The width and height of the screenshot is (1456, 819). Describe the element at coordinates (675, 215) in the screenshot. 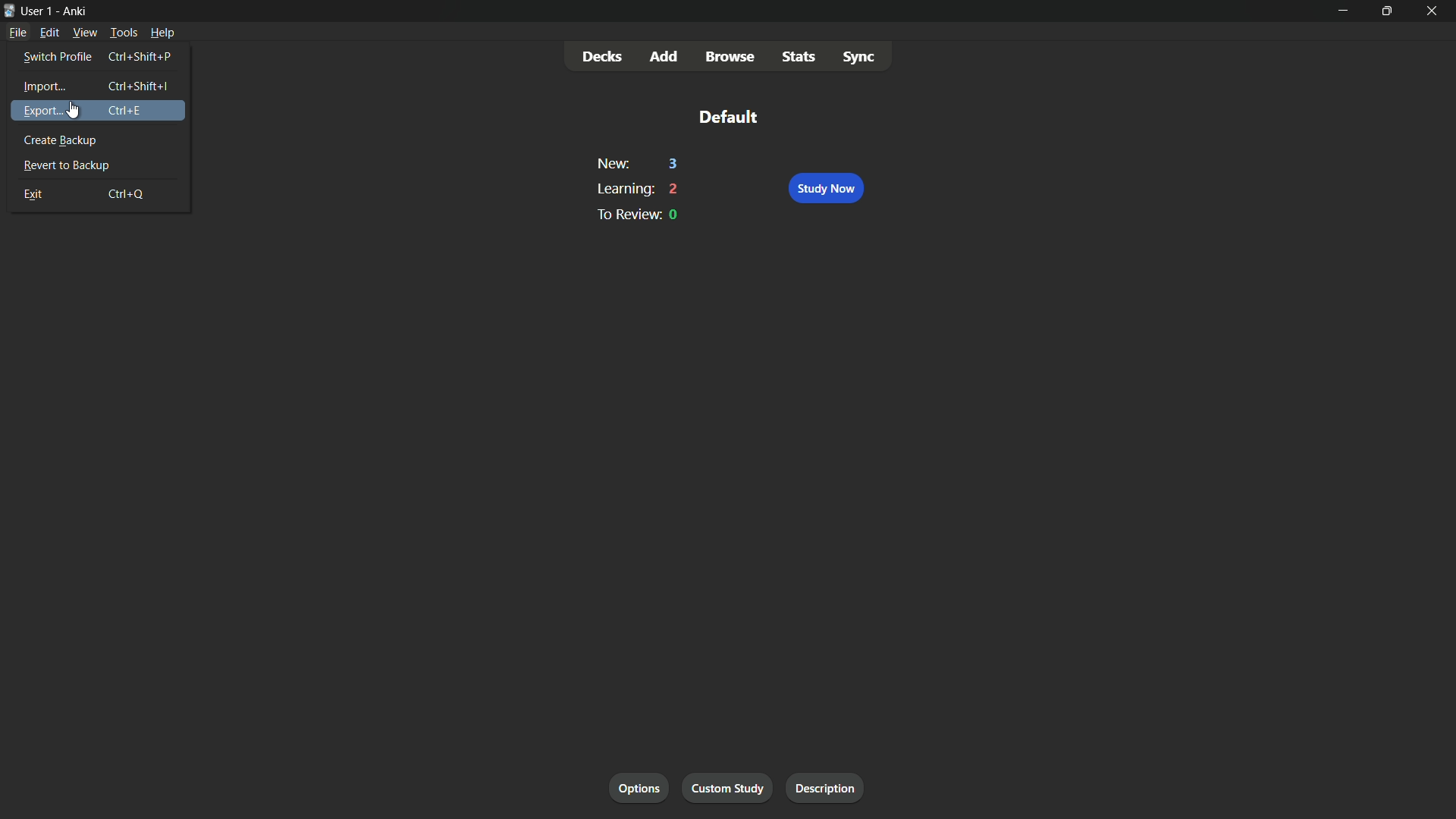

I see `0` at that location.